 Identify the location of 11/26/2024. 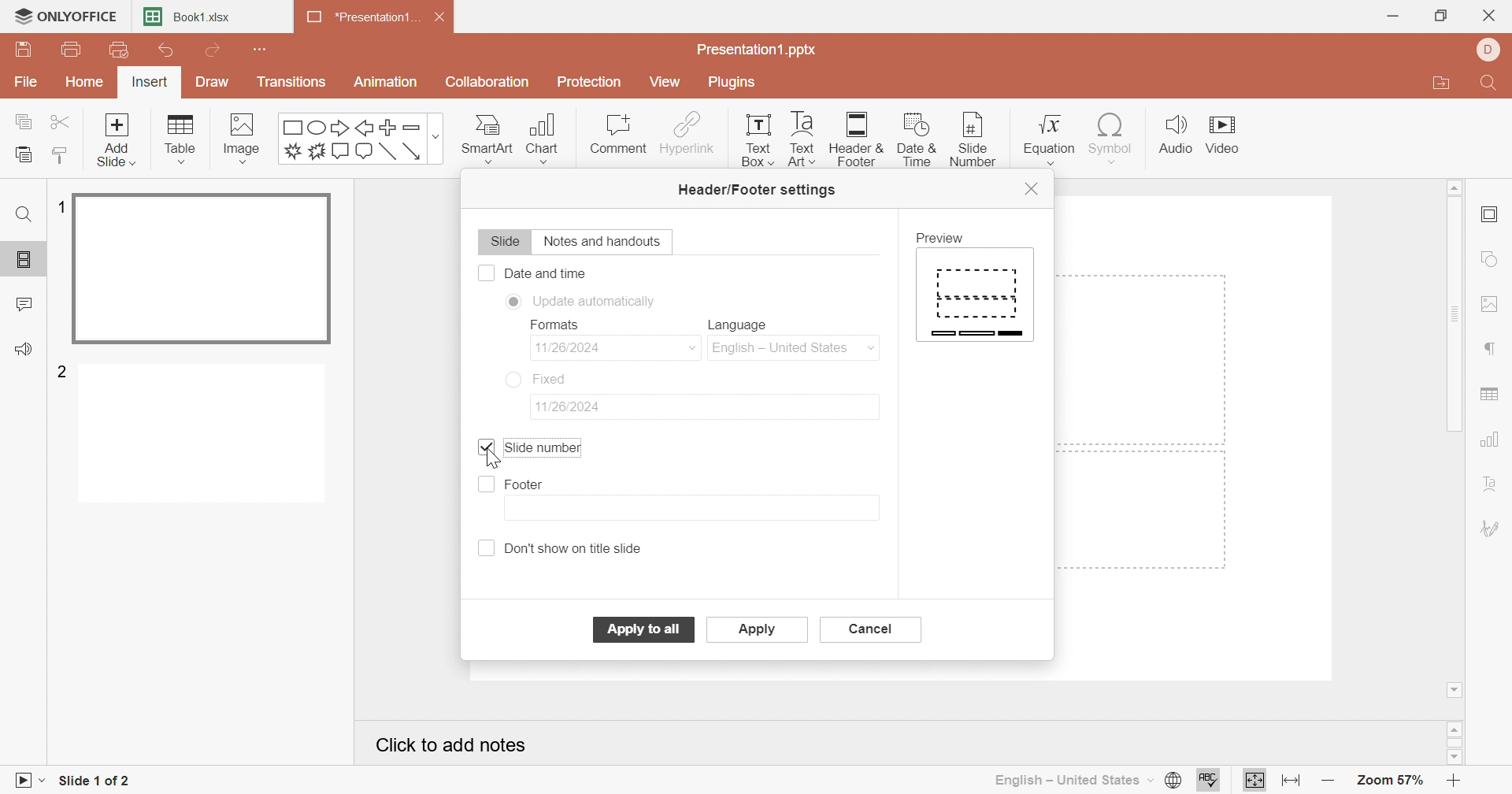
(575, 406).